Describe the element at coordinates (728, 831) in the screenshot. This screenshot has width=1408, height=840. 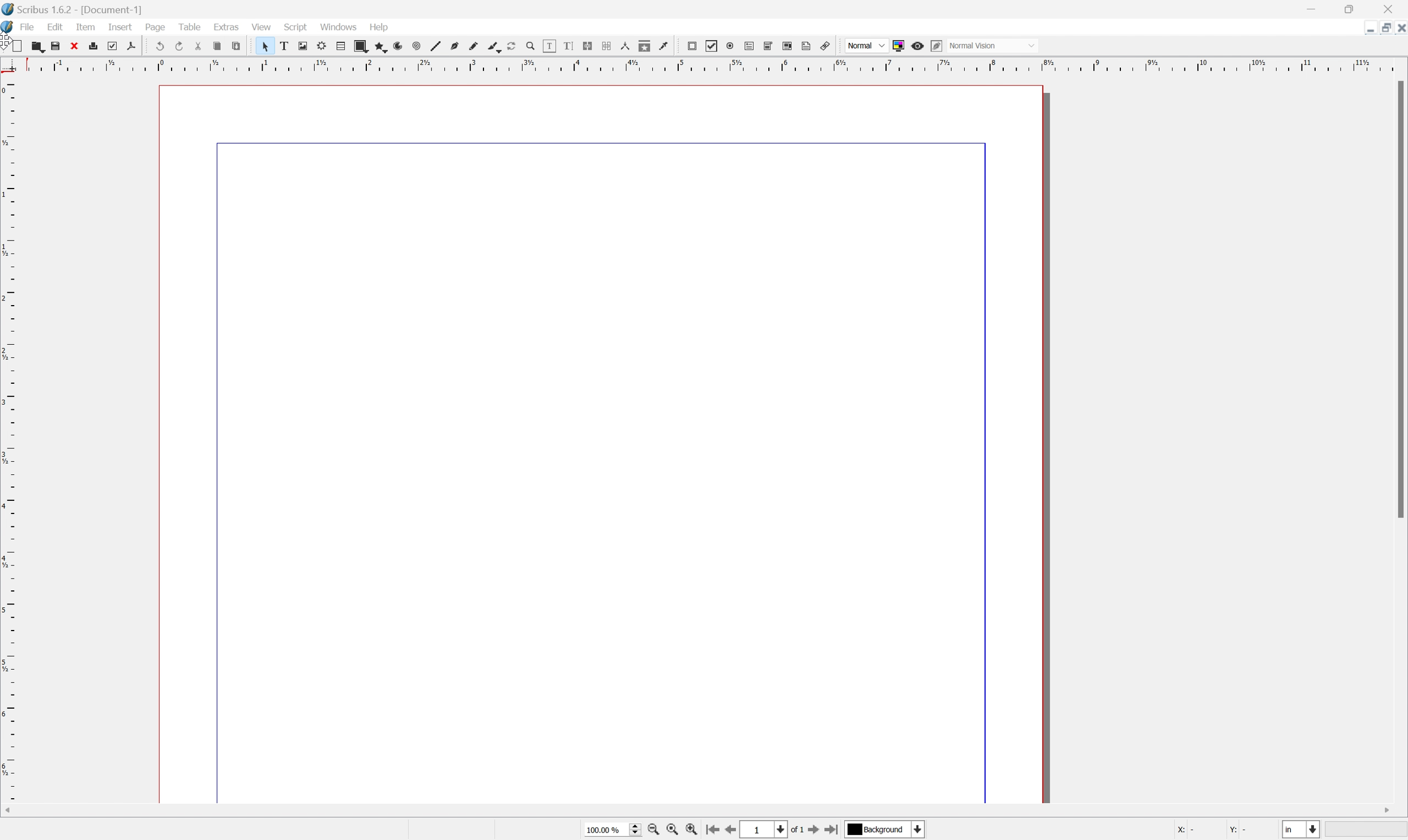
I see `go to previous page` at that location.